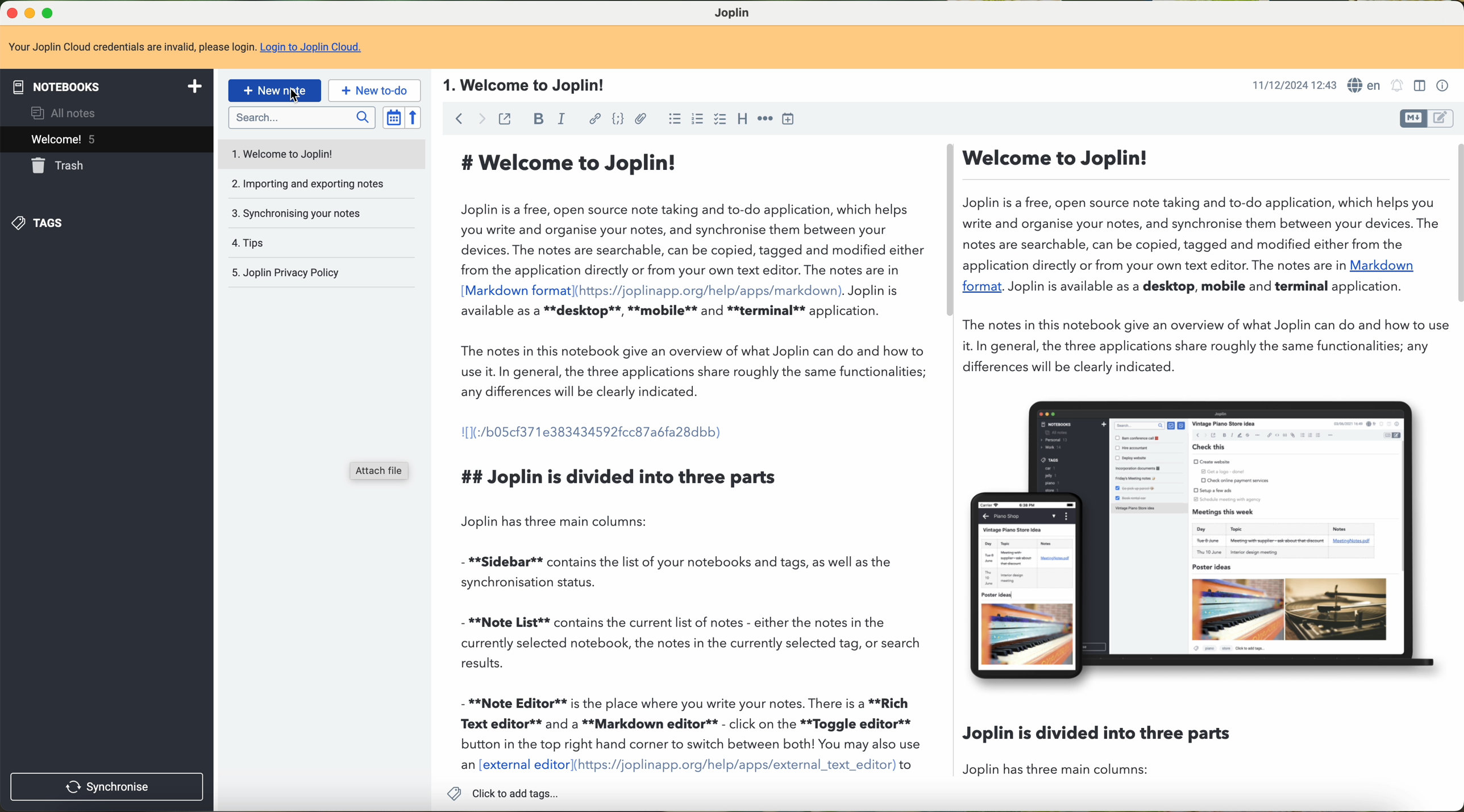 This screenshot has width=1464, height=812. What do you see at coordinates (1095, 748) in the screenshot?
I see `body text` at bounding box center [1095, 748].